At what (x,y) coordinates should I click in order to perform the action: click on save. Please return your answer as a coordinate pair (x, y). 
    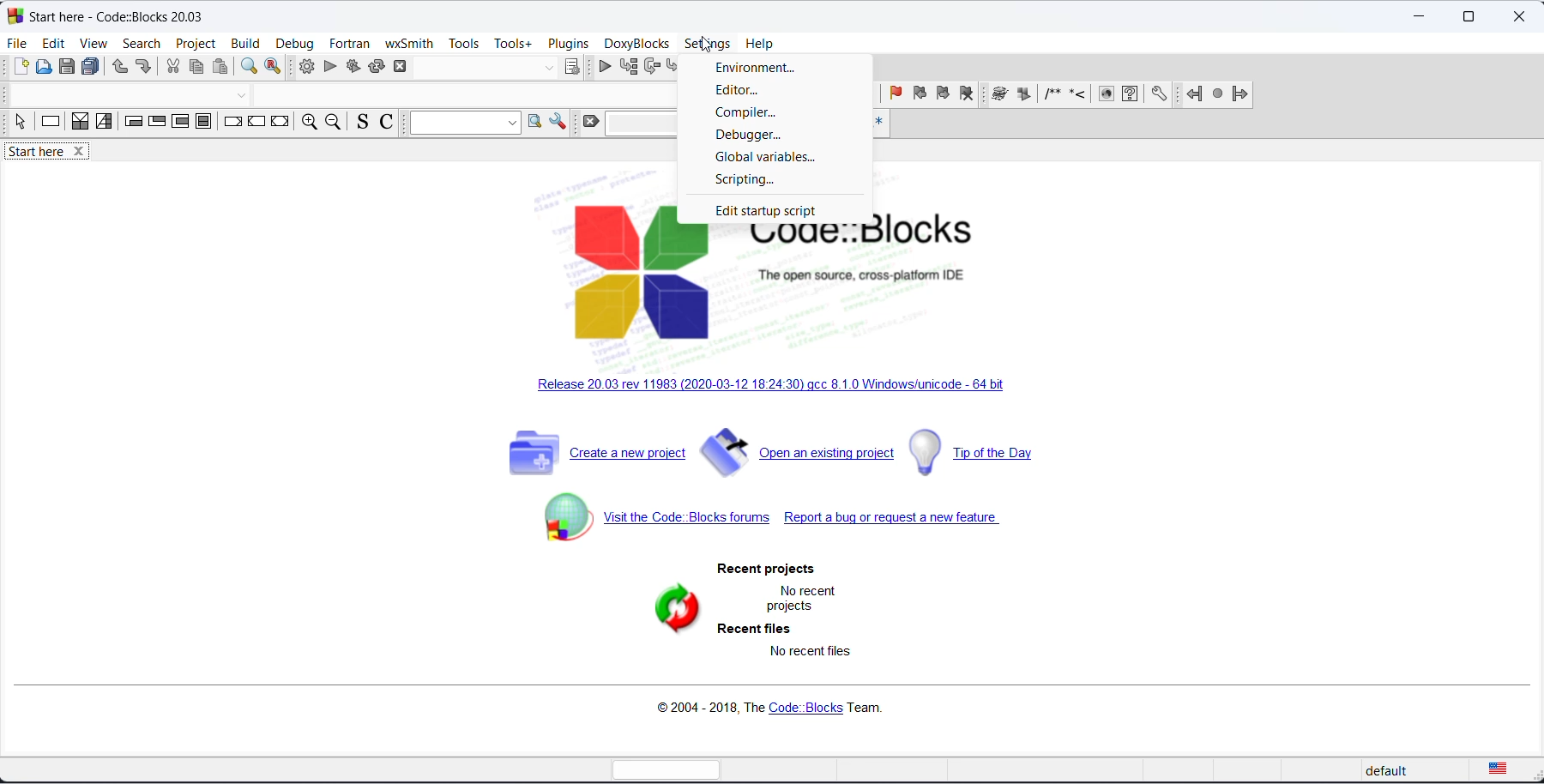
    Looking at the image, I should click on (66, 67).